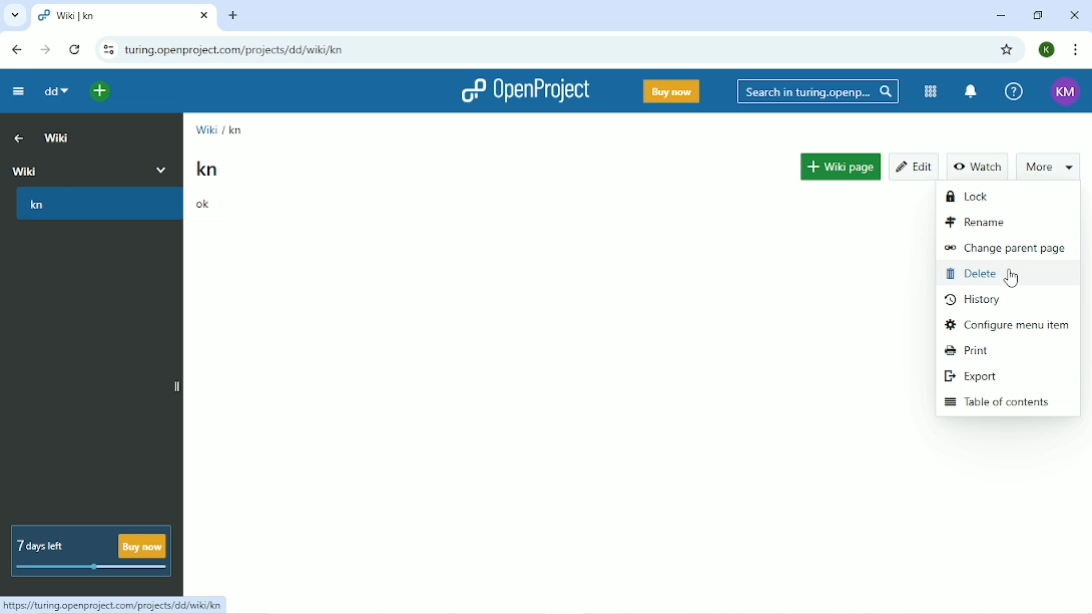 Image resolution: width=1092 pixels, height=614 pixels. I want to click on Table of contents, so click(997, 403).